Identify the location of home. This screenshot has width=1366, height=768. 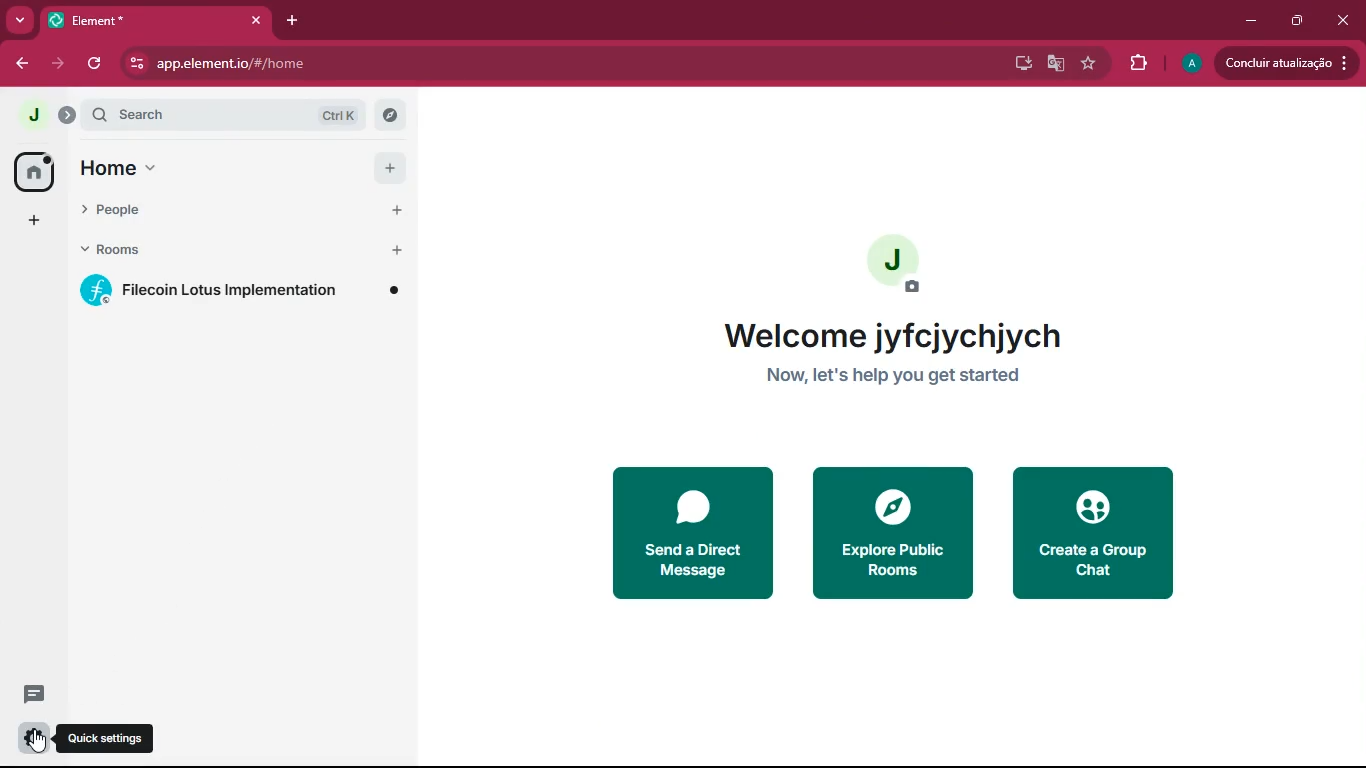
(34, 171).